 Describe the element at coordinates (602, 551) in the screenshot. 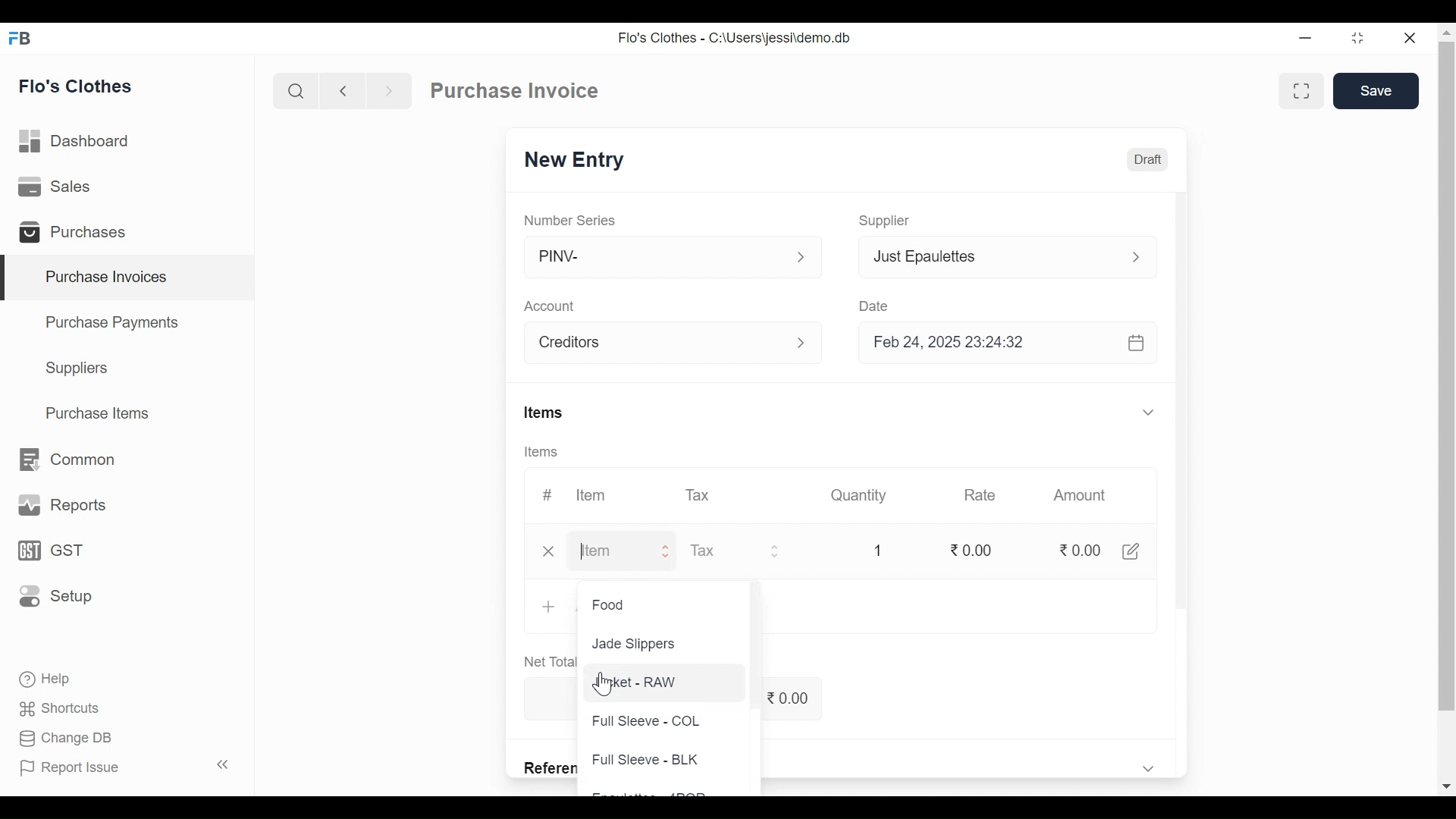

I see `item` at that location.